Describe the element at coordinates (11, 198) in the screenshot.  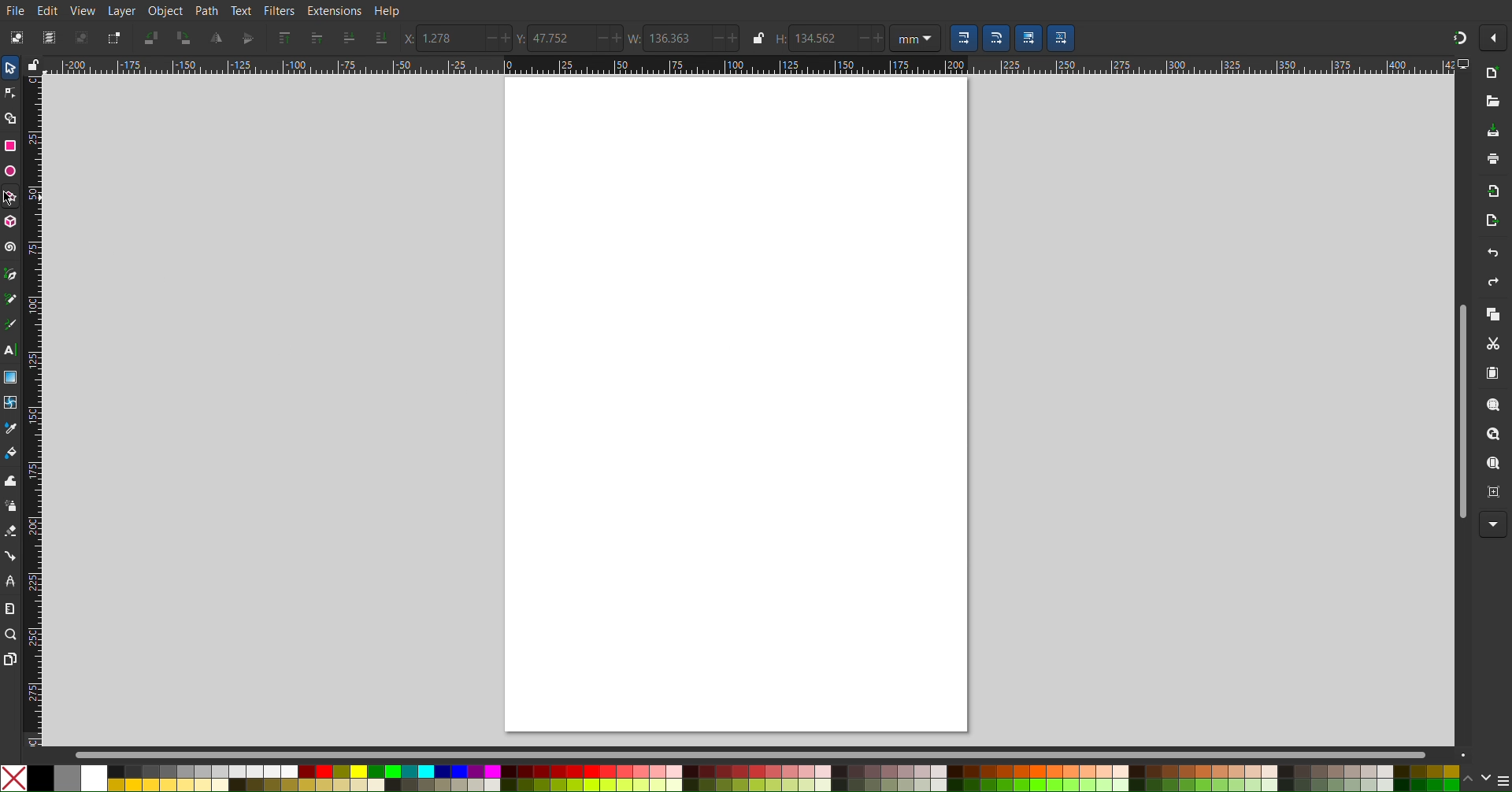
I see `Polygon/Star` at that location.